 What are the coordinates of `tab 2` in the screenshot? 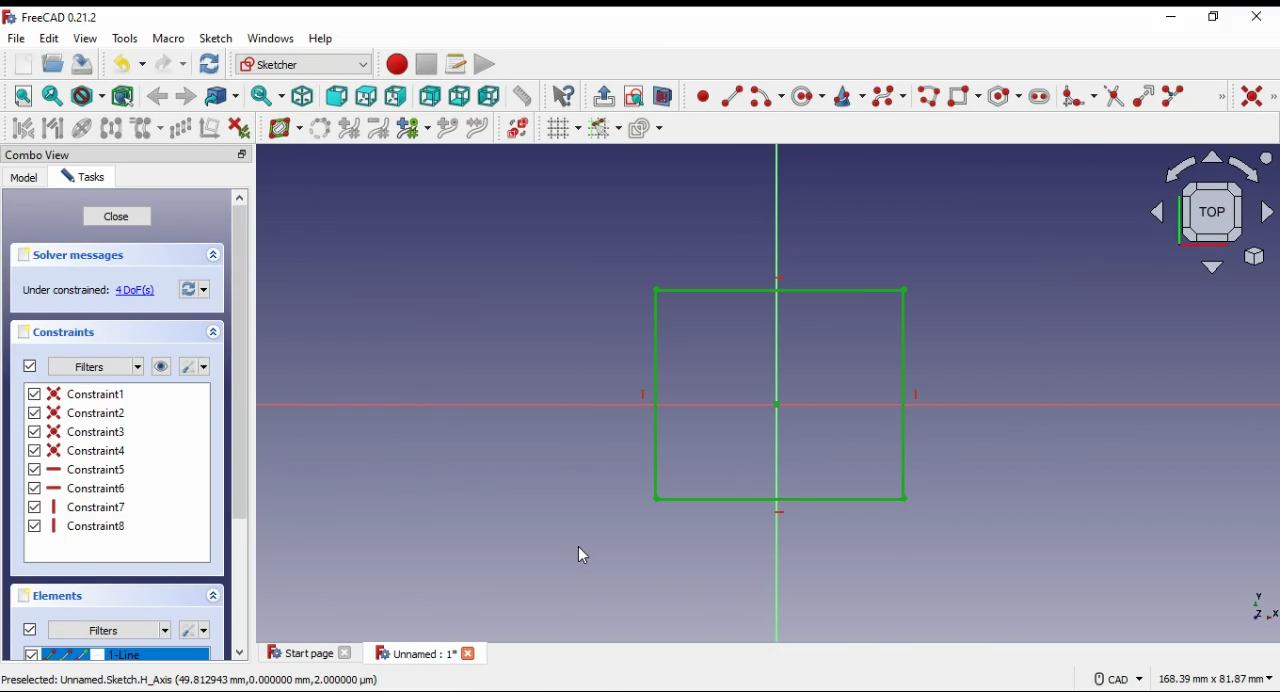 It's located at (426, 653).